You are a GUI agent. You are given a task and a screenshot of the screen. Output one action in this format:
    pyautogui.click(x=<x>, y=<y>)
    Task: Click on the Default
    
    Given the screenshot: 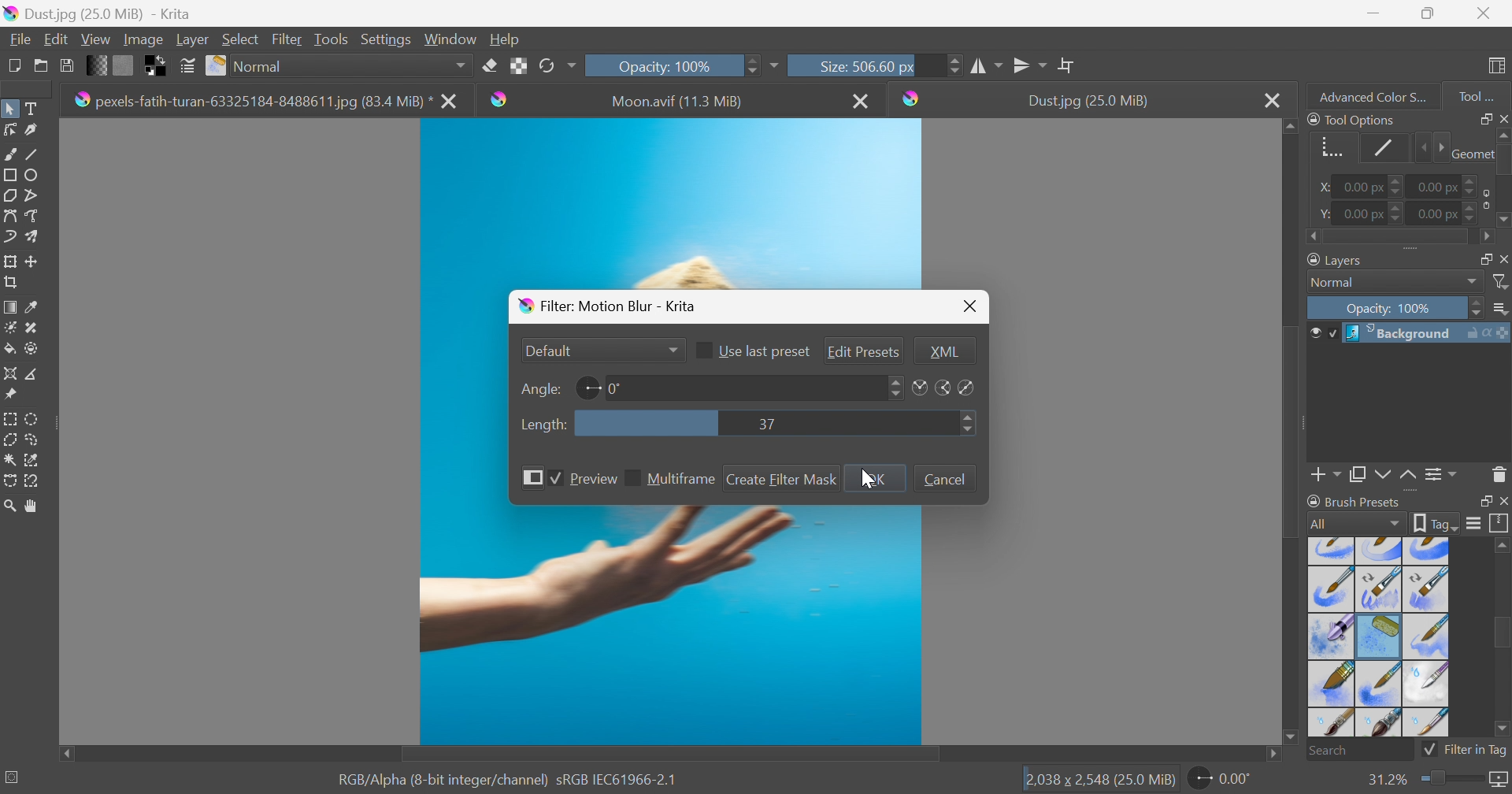 What is the action you would take?
    pyautogui.click(x=549, y=350)
    